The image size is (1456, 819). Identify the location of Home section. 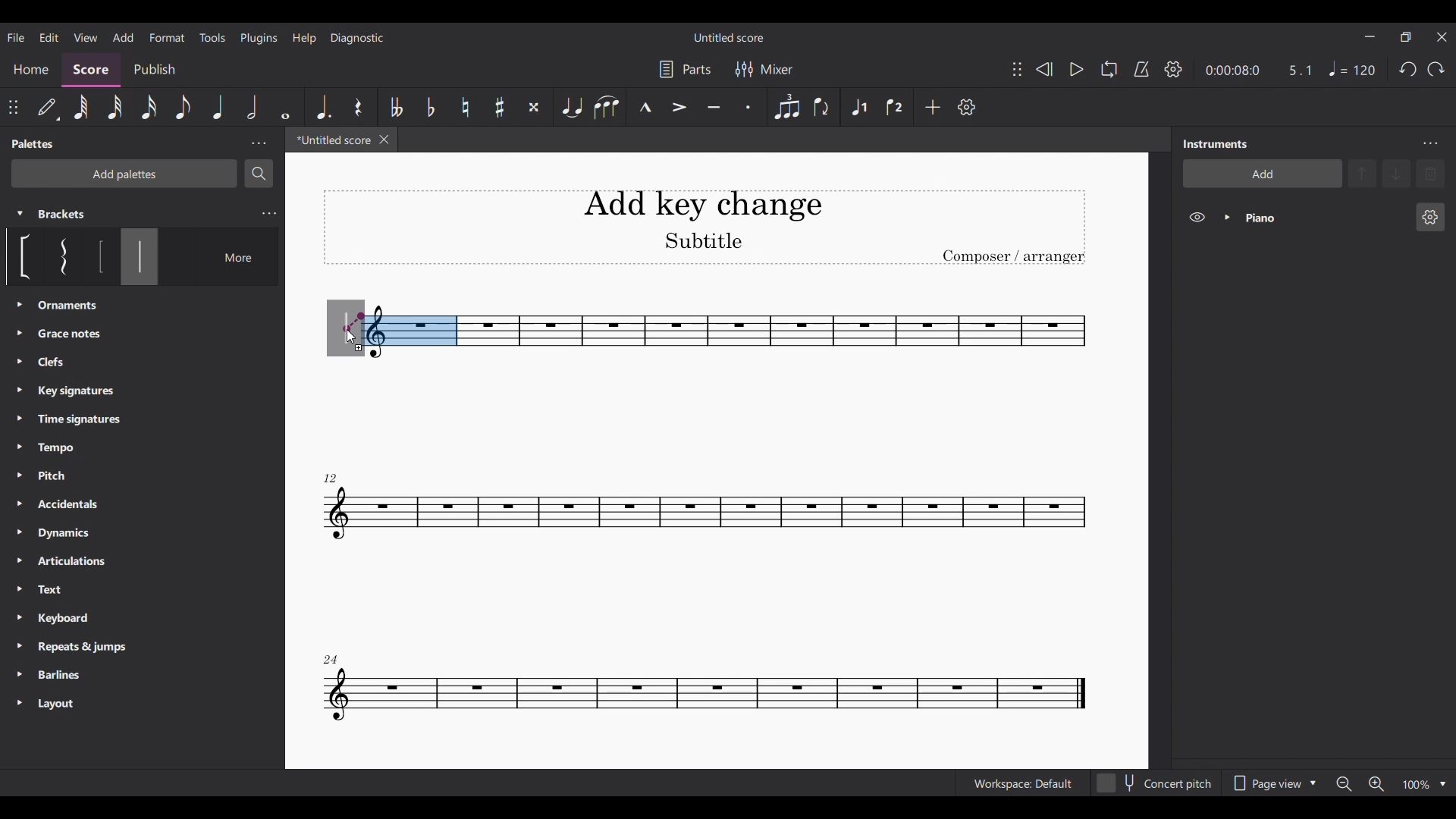
(32, 69).